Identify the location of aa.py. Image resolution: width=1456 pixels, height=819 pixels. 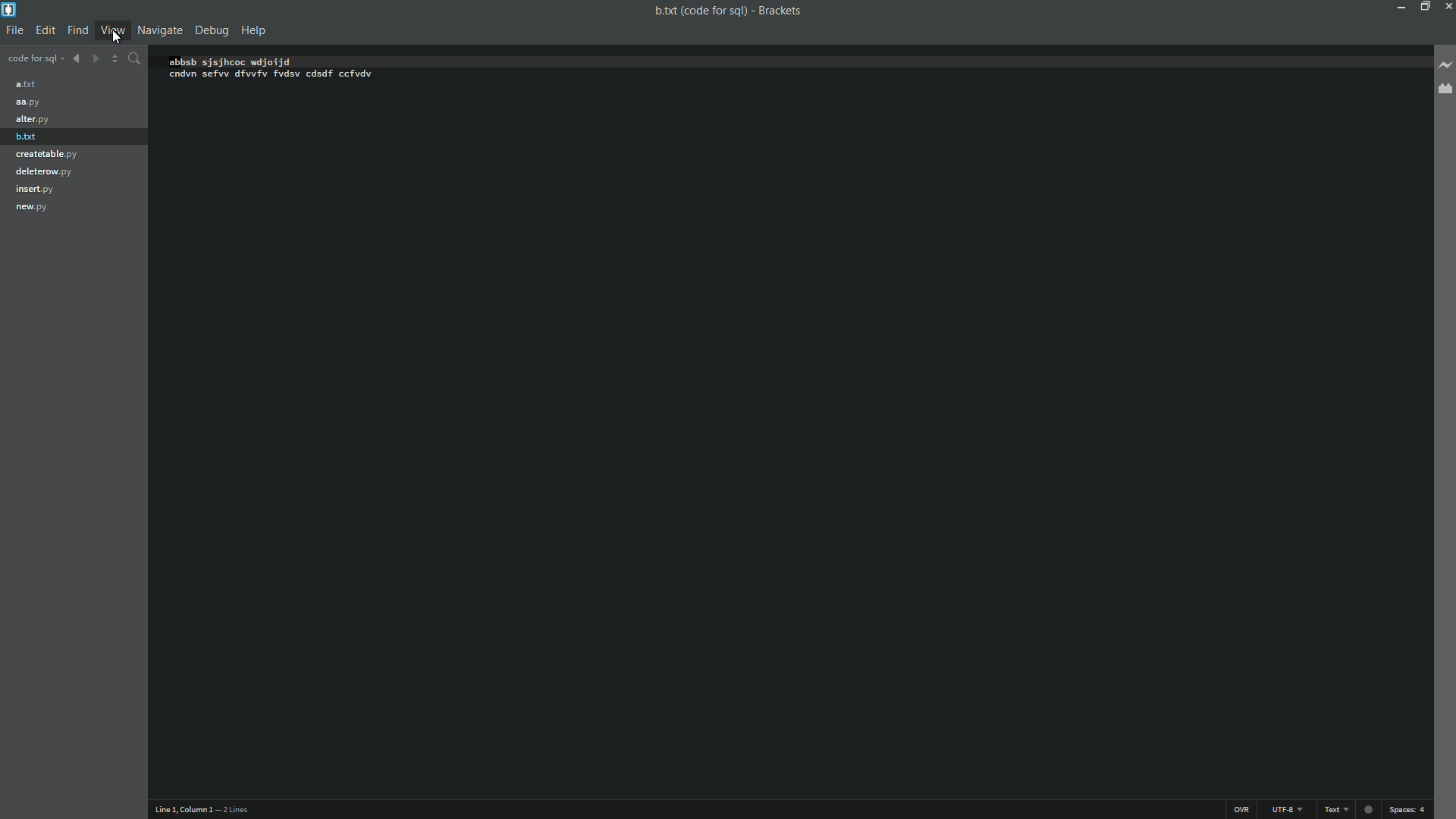
(28, 102).